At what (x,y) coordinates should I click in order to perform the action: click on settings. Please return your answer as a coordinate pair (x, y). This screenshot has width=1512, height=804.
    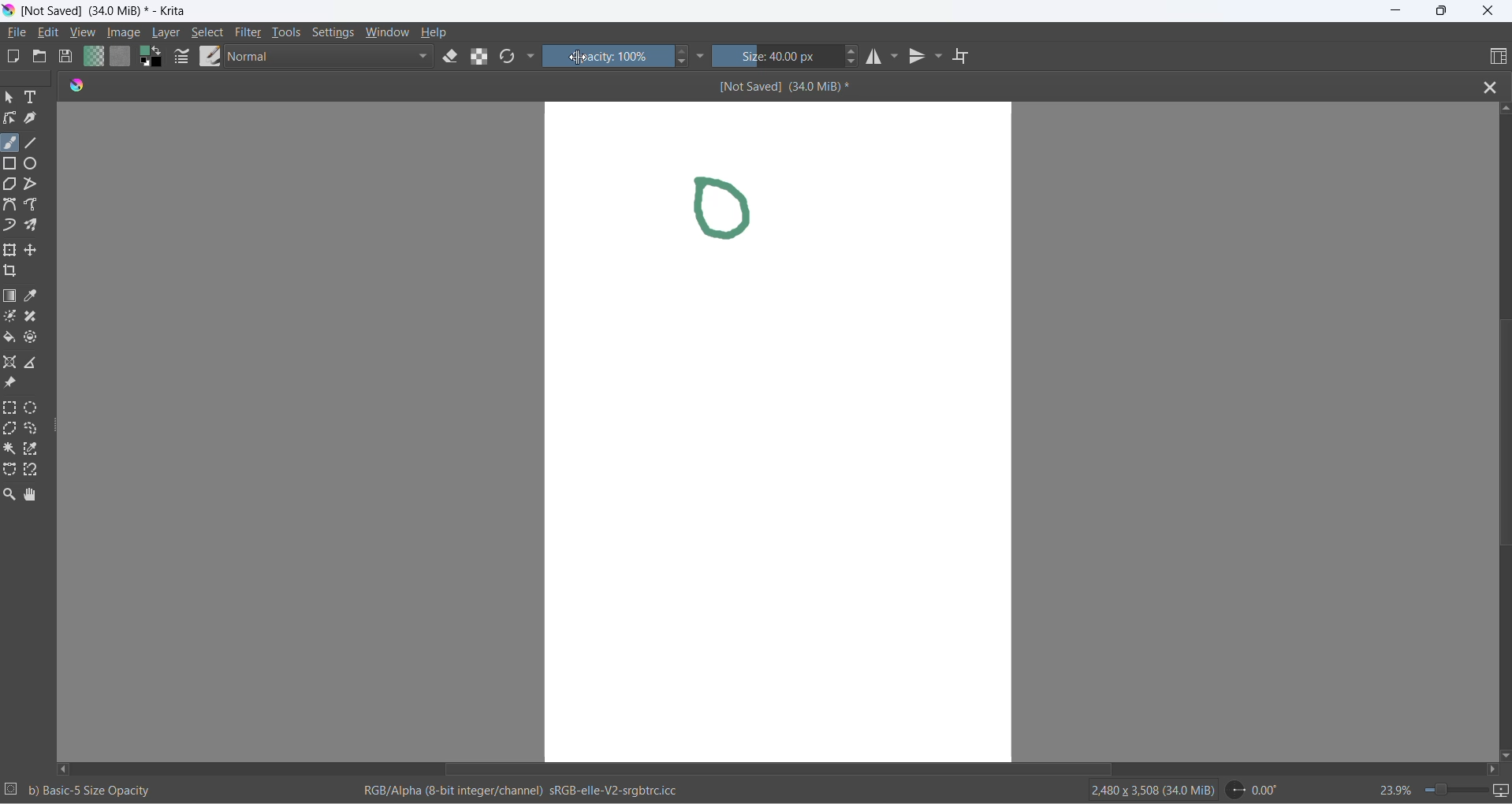
    Looking at the image, I should click on (331, 33).